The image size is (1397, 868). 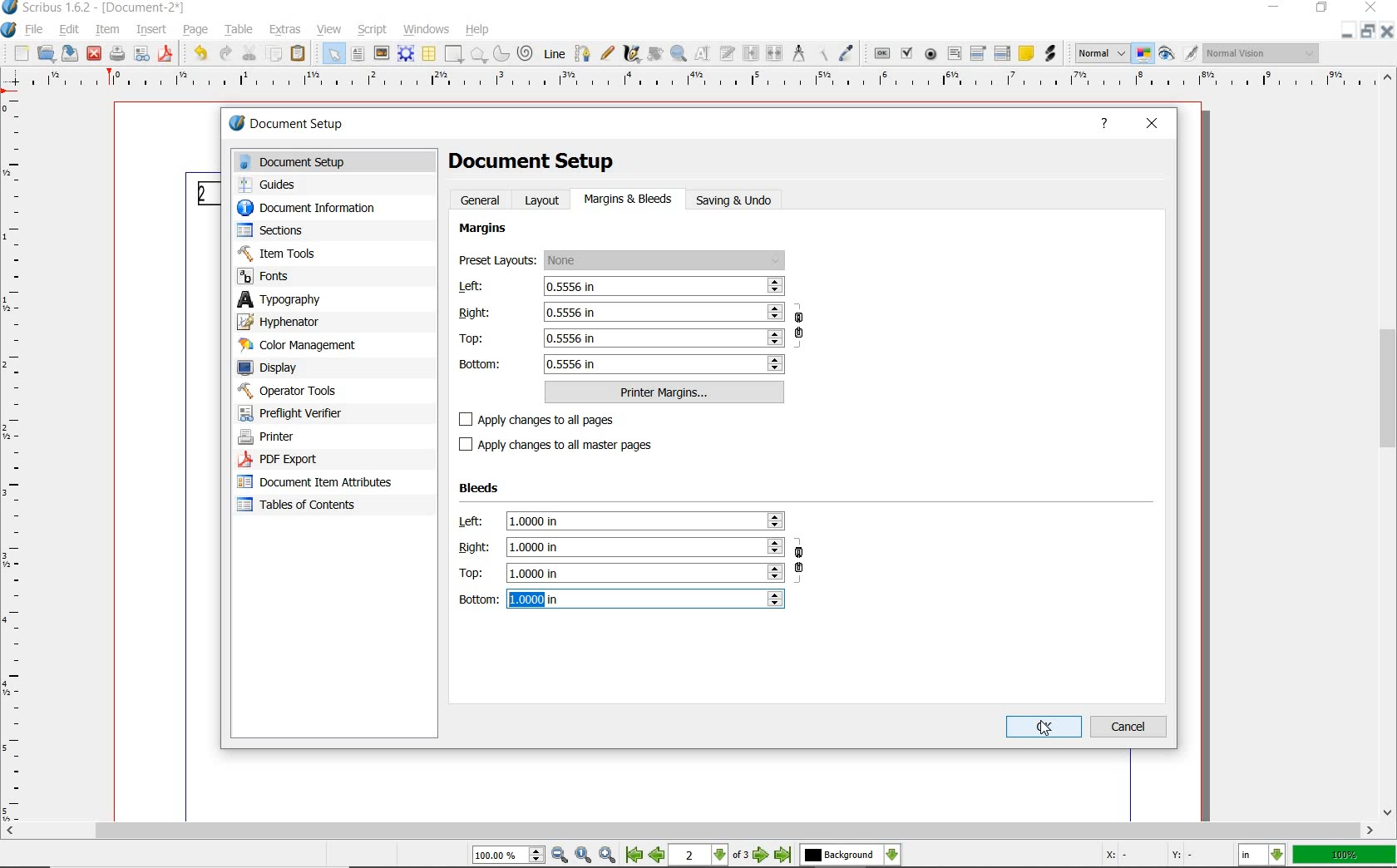 I want to click on Scribus 1.62 - [Document-2*], so click(x=96, y=7).